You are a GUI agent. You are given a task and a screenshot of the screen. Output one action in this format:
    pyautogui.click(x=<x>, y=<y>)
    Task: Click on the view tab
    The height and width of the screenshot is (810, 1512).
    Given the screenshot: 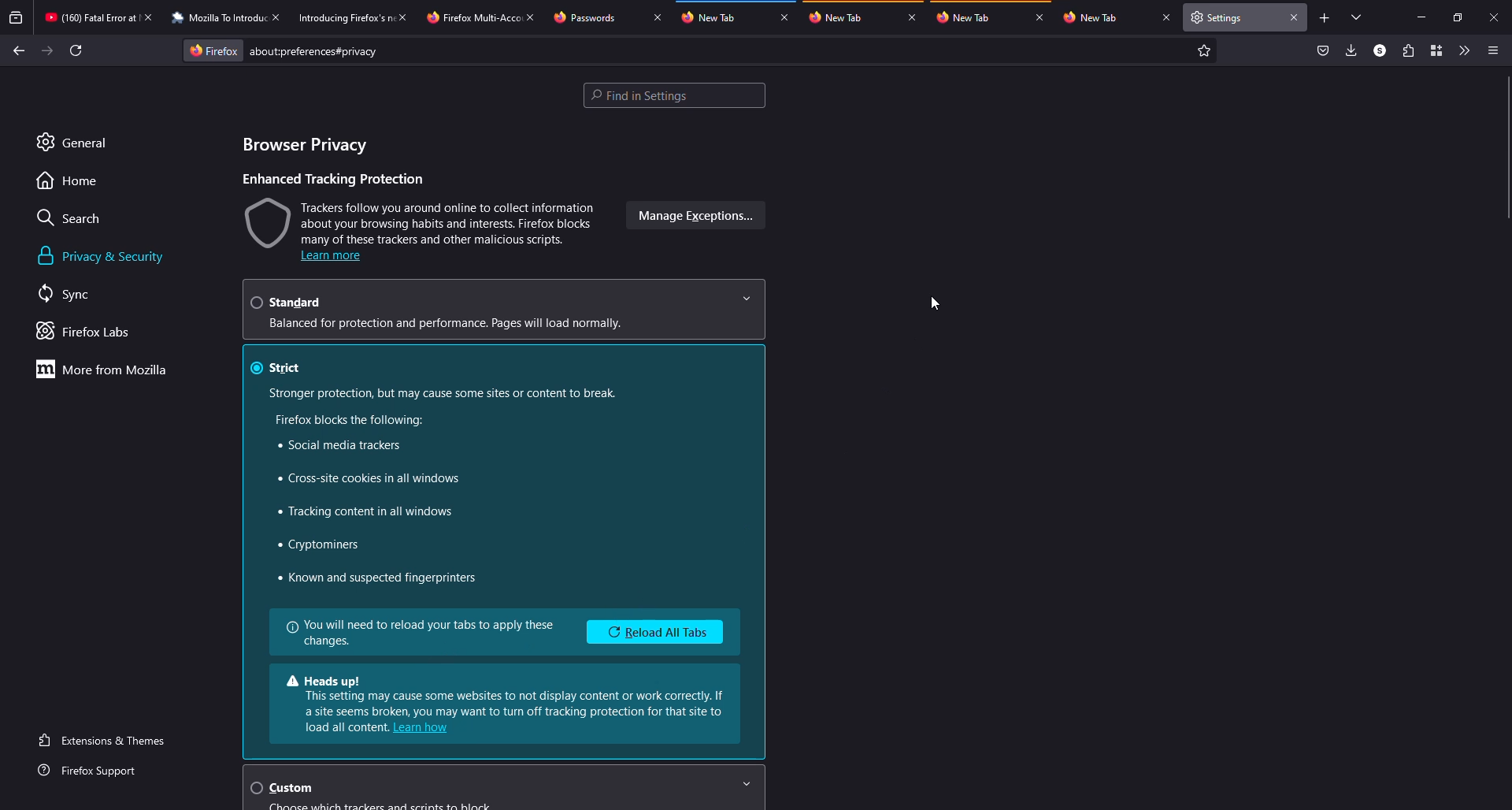 What is the action you would take?
    pyautogui.click(x=1358, y=17)
    